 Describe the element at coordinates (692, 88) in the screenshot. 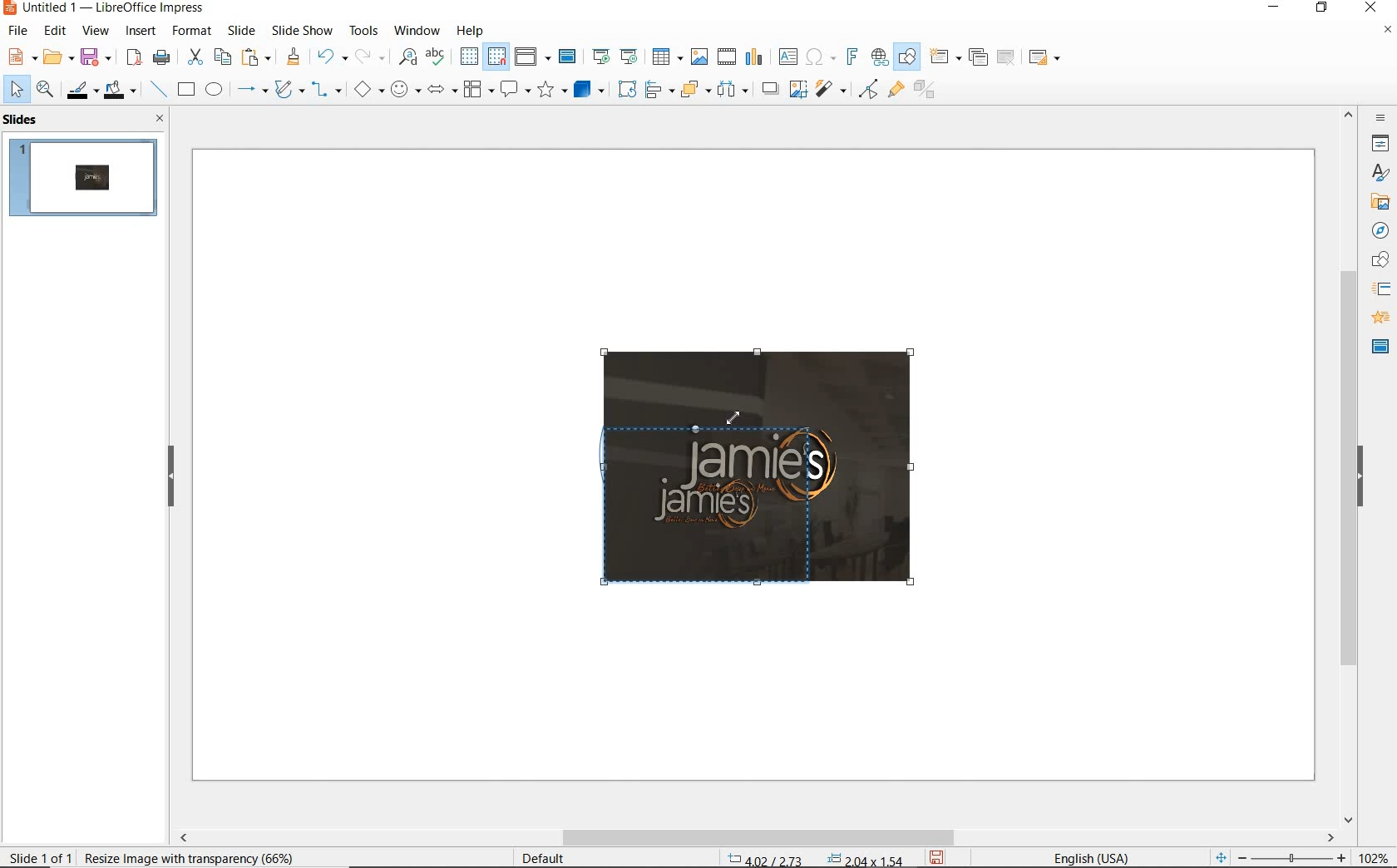

I see `arrange` at that location.